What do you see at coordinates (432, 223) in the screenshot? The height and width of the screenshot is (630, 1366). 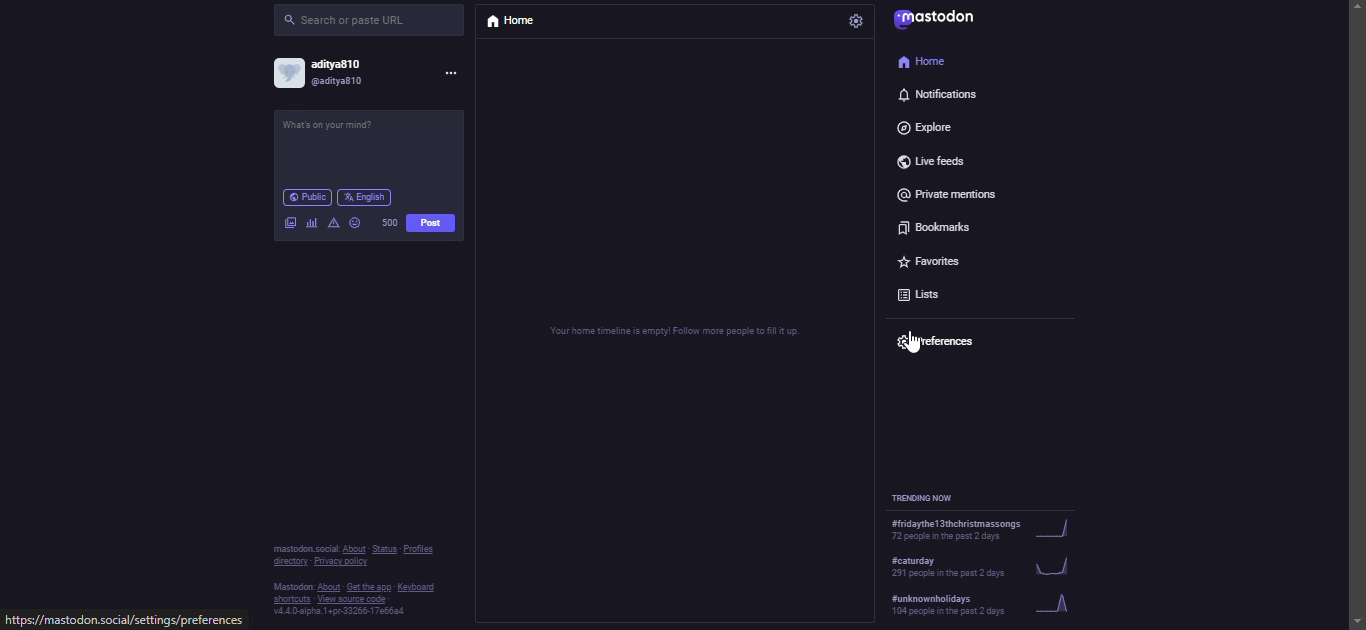 I see `post` at bounding box center [432, 223].